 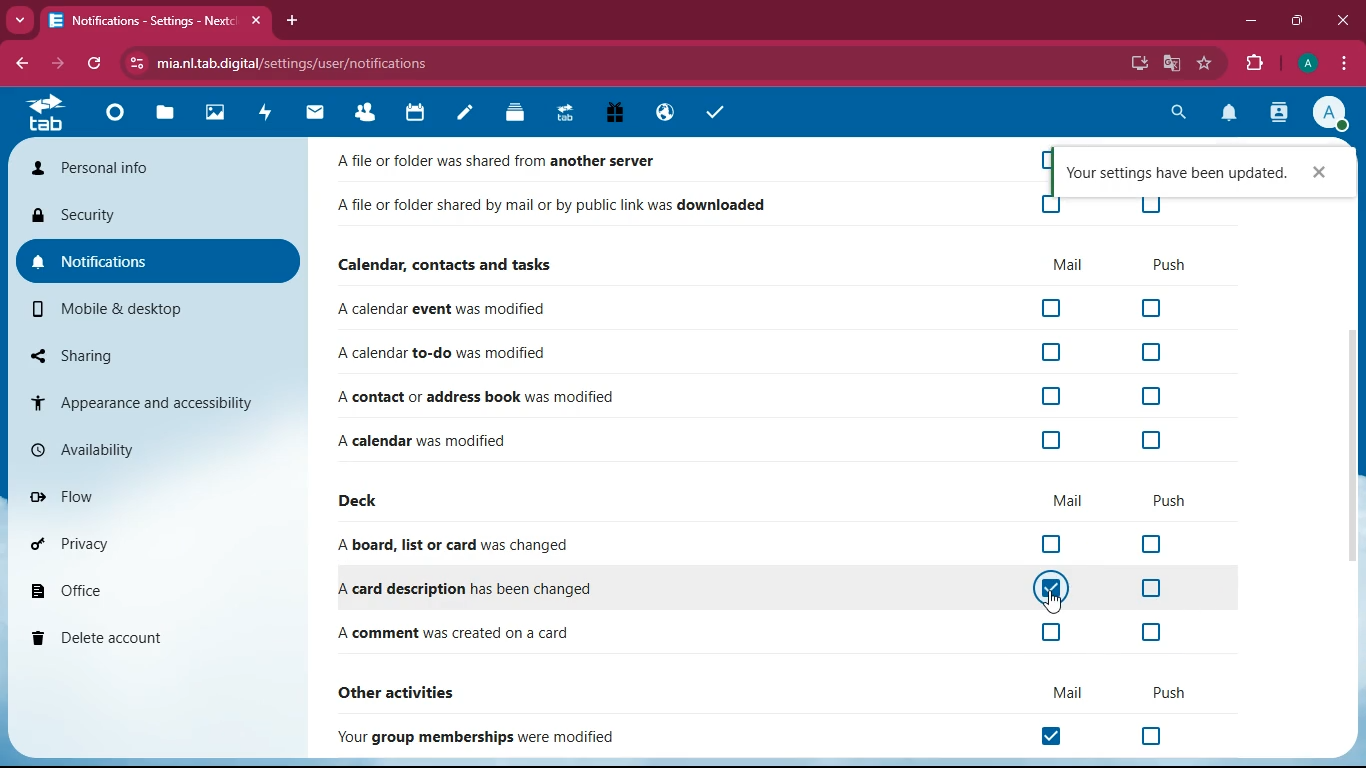 I want to click on mail, so click(x=1062, y=693).